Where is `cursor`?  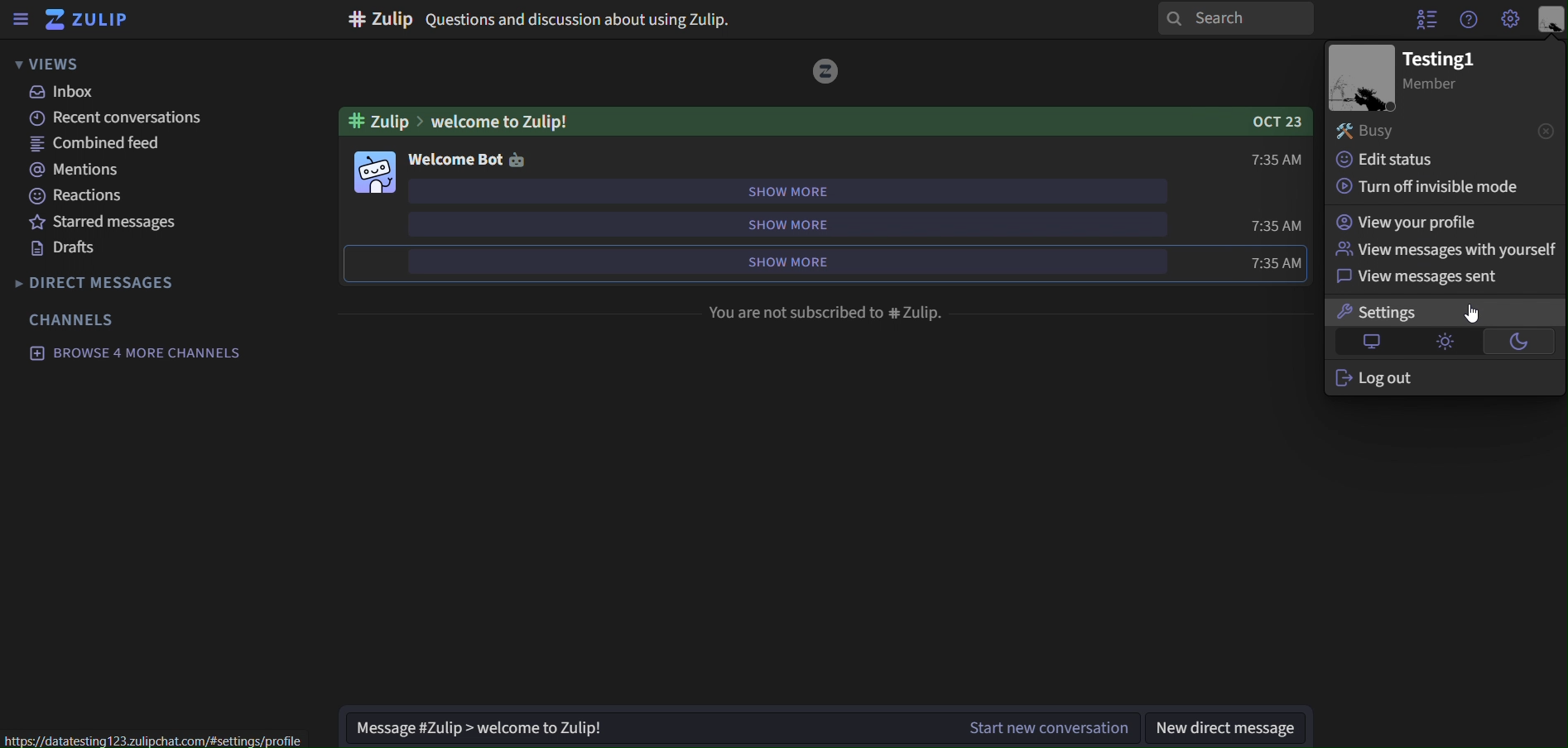
cursor is located at coordinates (1472, 311).